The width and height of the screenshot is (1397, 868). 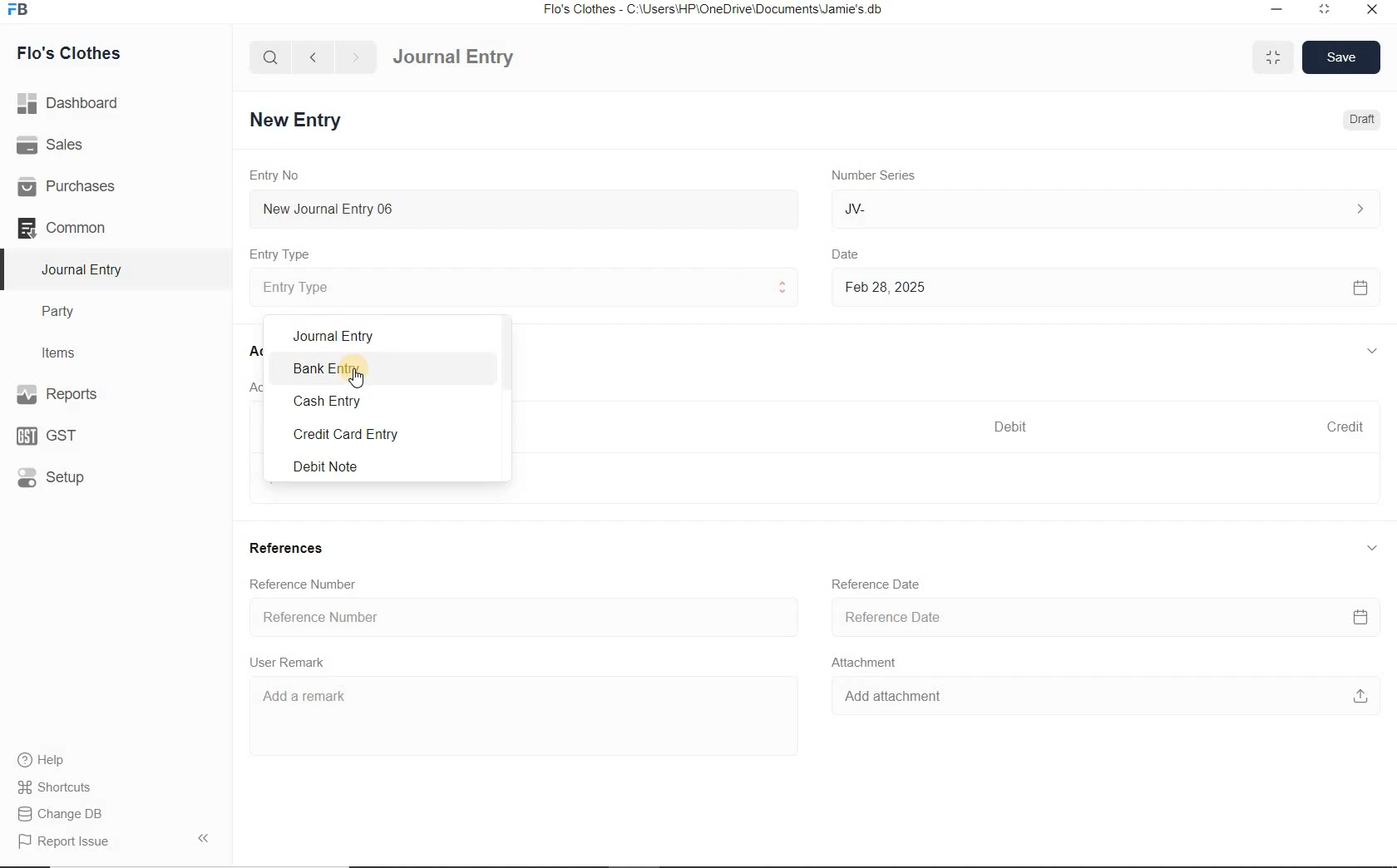 What do you see at coordinates (357, 57) in the screenshot?
I see `forward` at bounding box center [357, 57].